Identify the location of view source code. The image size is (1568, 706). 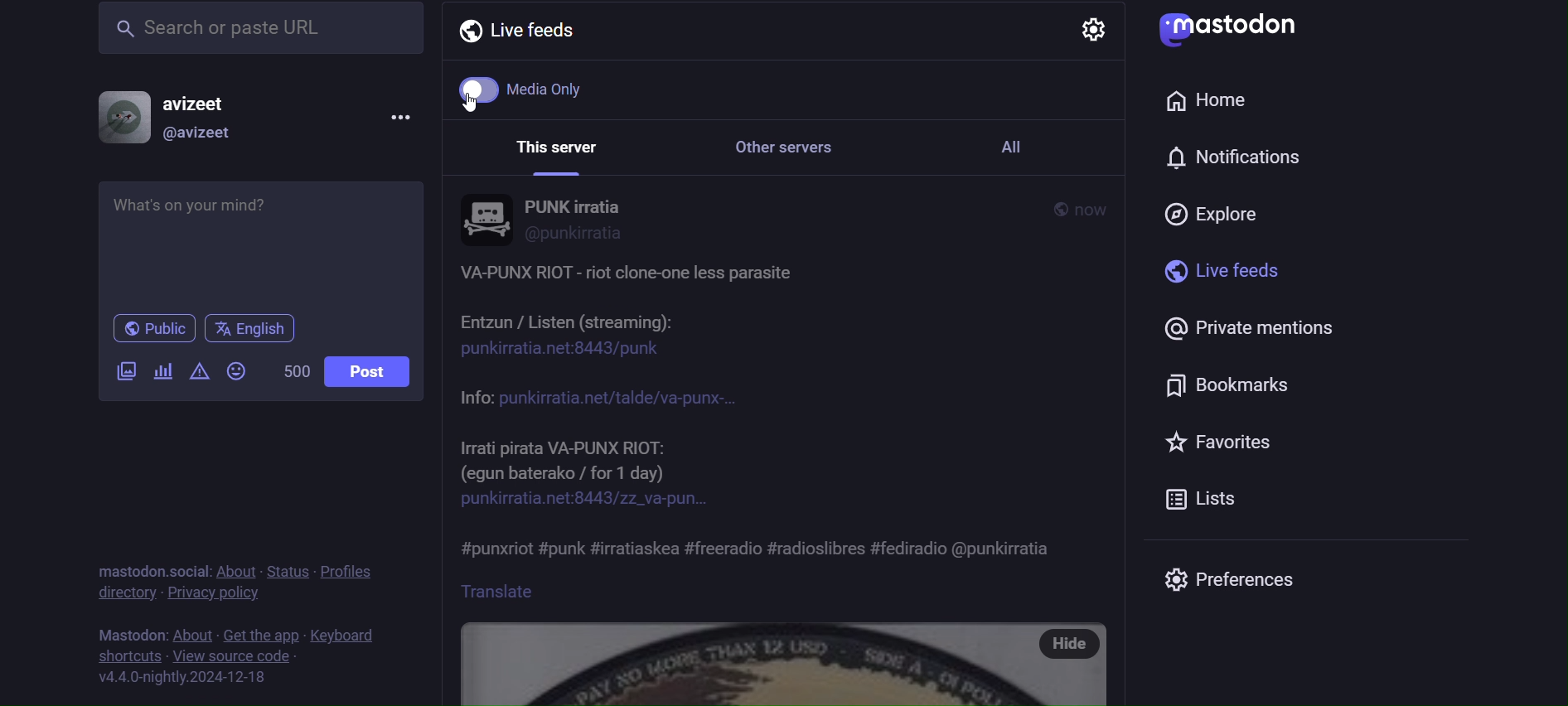
(245, 657).